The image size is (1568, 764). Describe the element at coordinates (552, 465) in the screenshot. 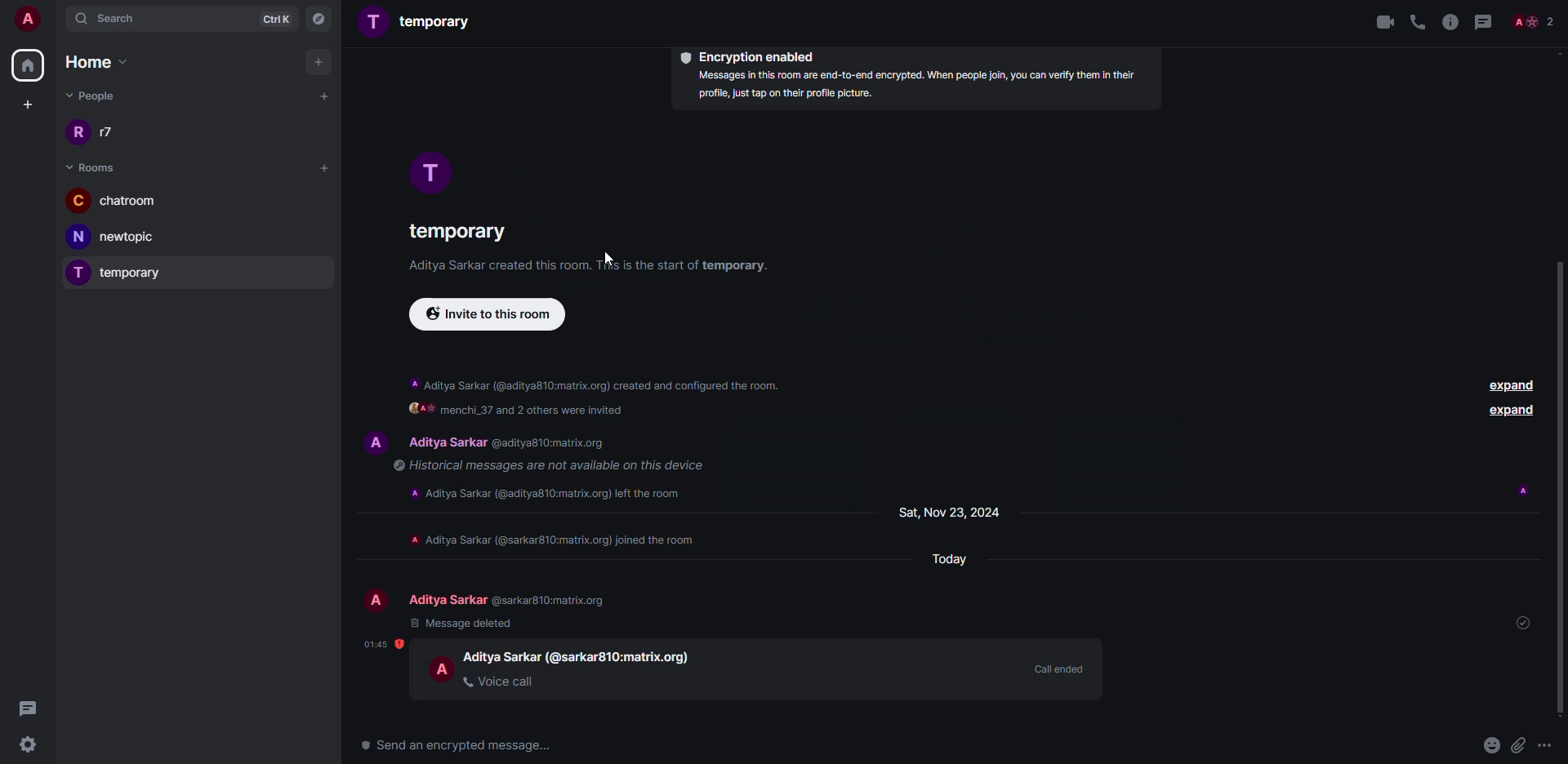

I see `info` at that location.